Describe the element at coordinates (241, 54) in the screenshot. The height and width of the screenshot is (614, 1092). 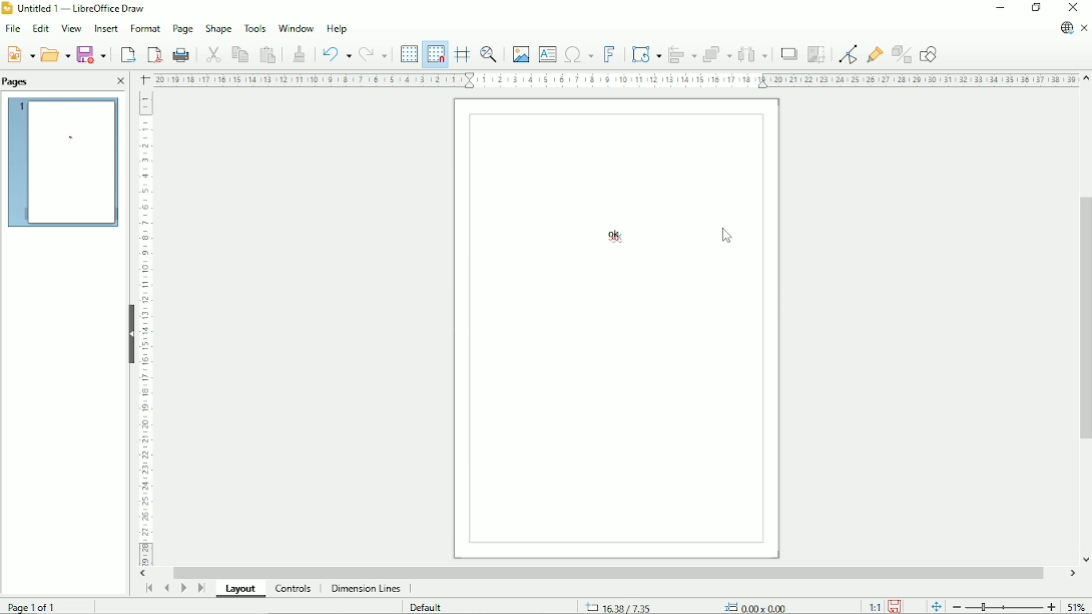
I see `Copy` at that location.